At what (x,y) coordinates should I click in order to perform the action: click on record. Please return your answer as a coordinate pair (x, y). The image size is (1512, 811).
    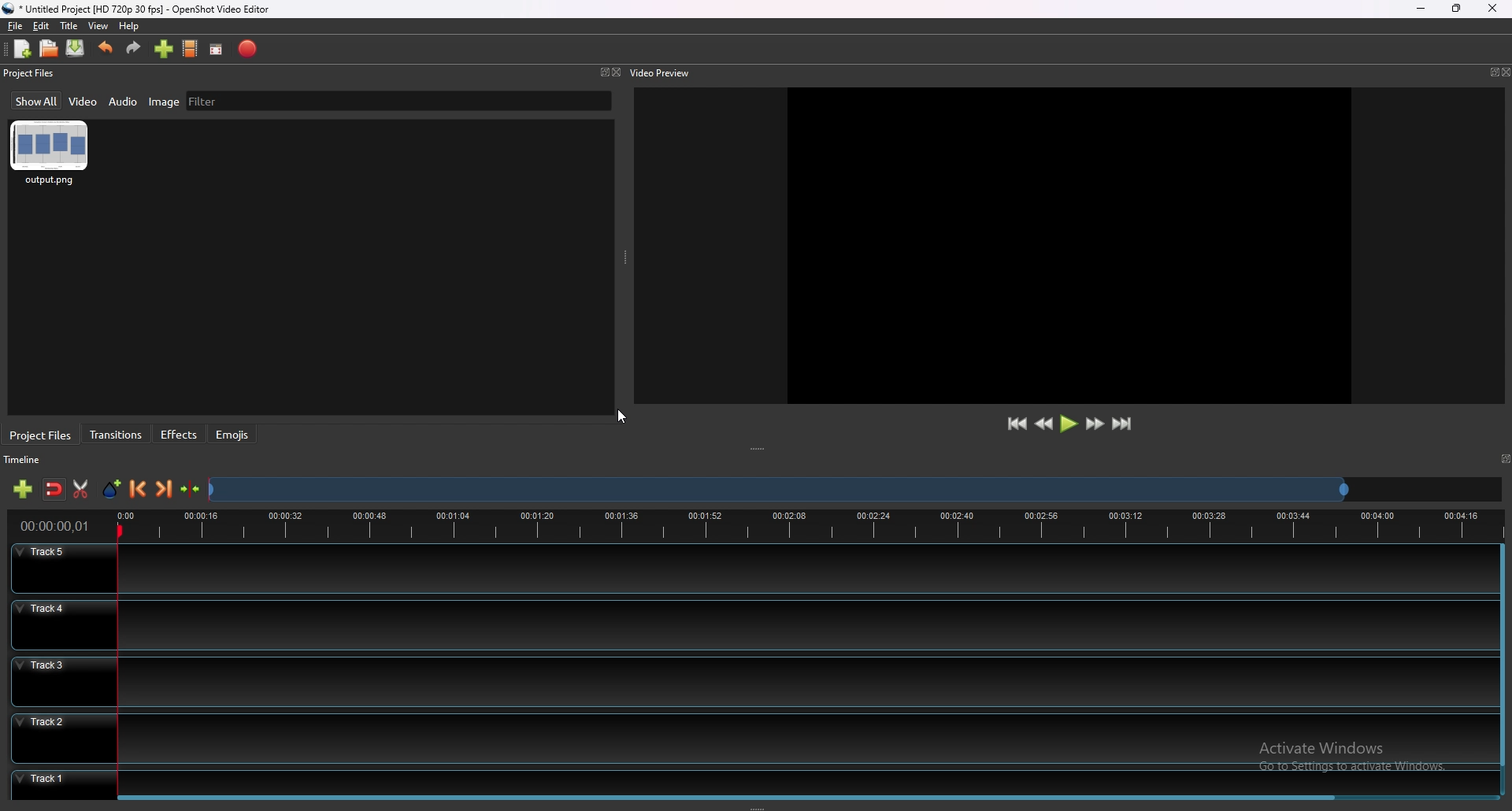
    Looking at the image, I should click on (250, 48).